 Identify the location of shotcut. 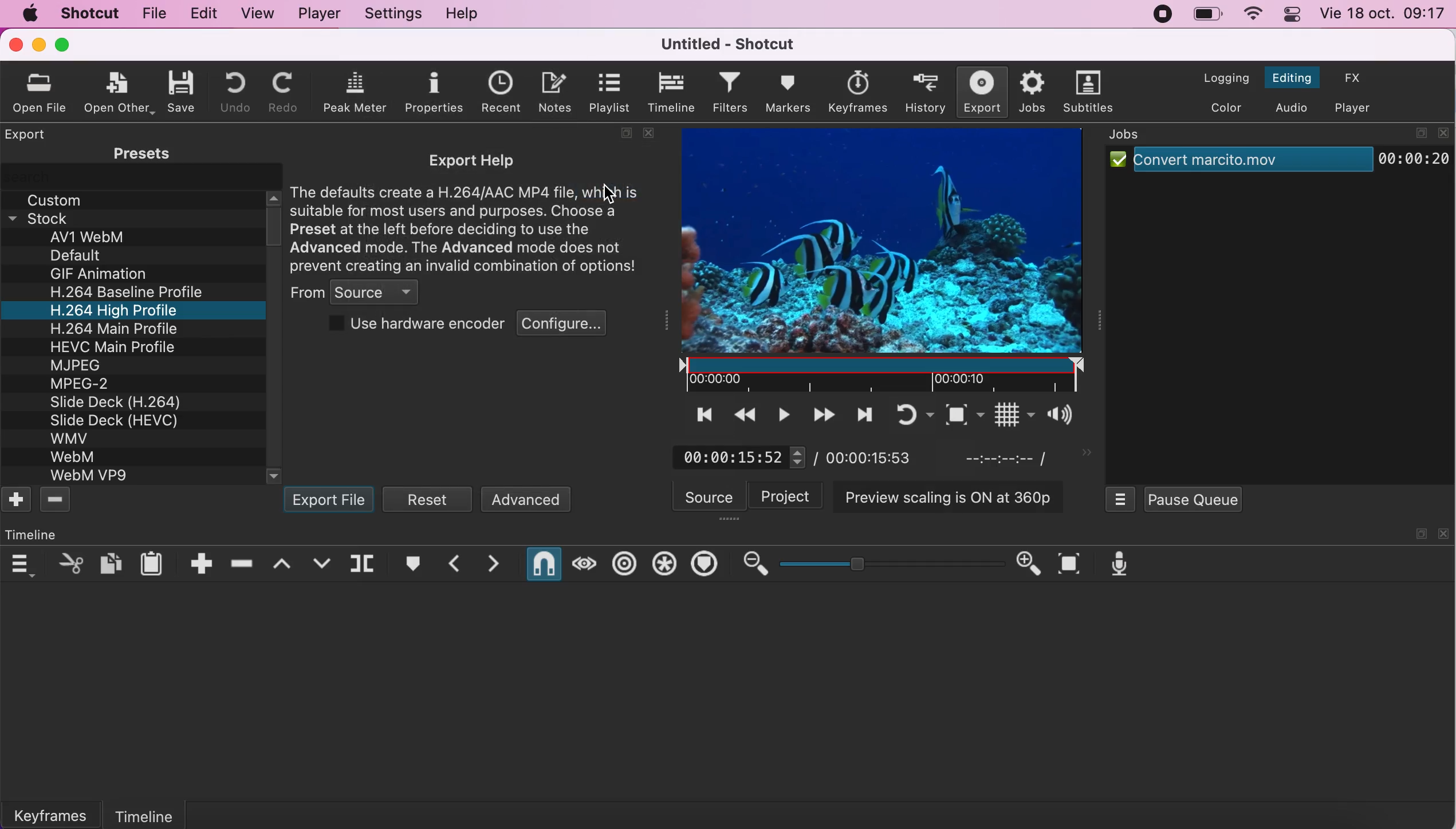
(88, 13).